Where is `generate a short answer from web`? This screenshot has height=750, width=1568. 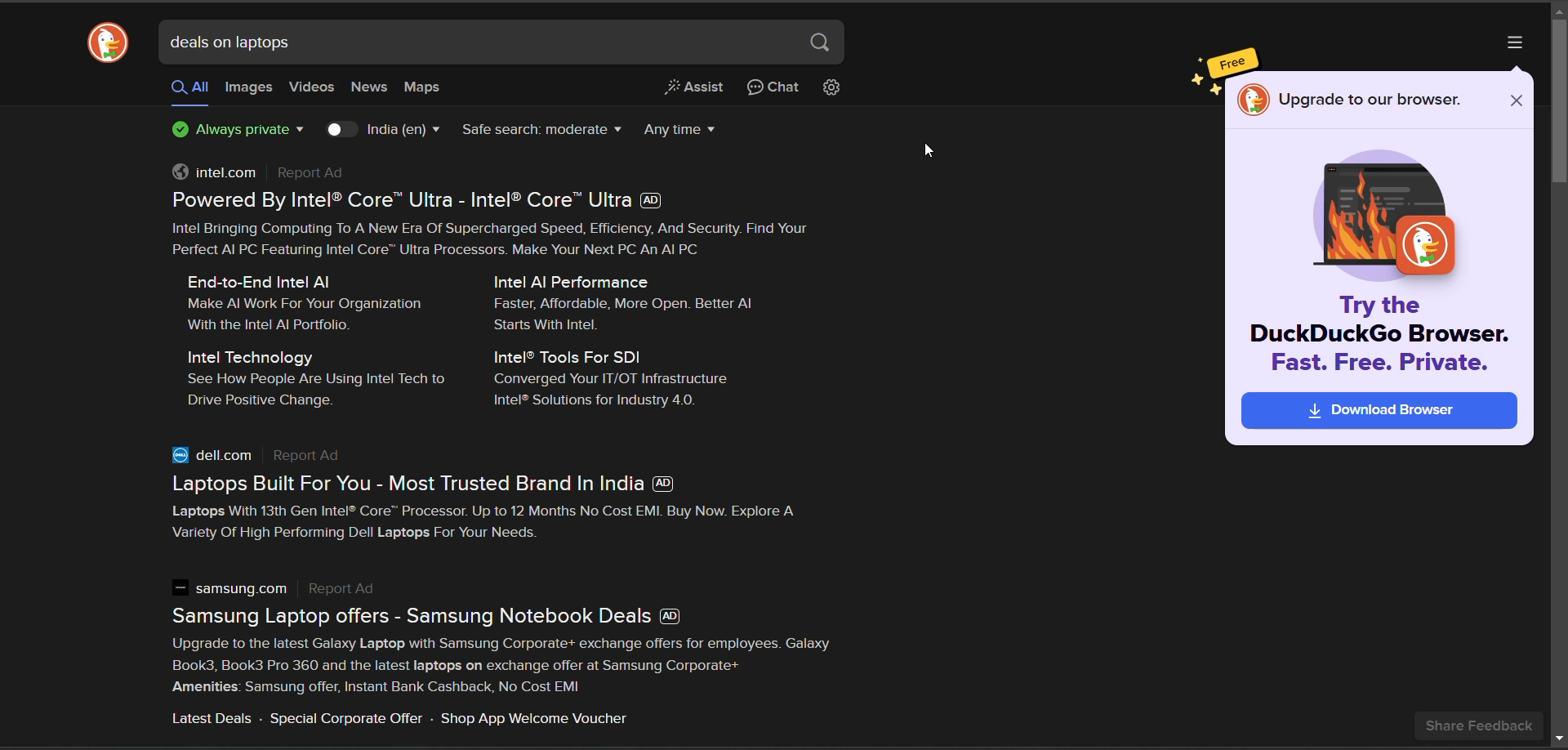 generate a short answer from web is located at coordinates (696, 90).